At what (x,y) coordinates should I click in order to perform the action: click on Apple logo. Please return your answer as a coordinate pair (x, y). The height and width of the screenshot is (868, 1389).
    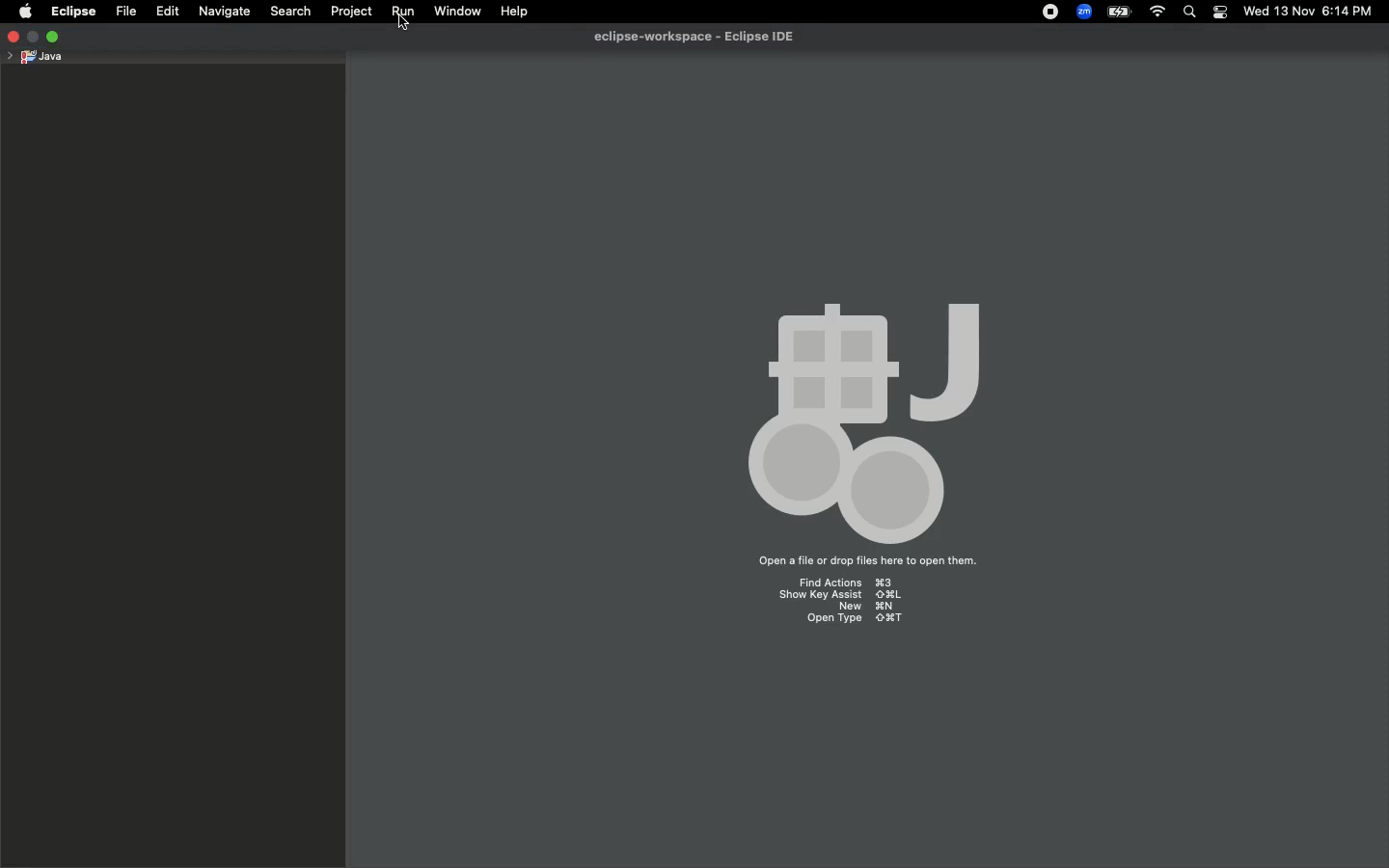
    Looking at the image, I should click on (23, 12).